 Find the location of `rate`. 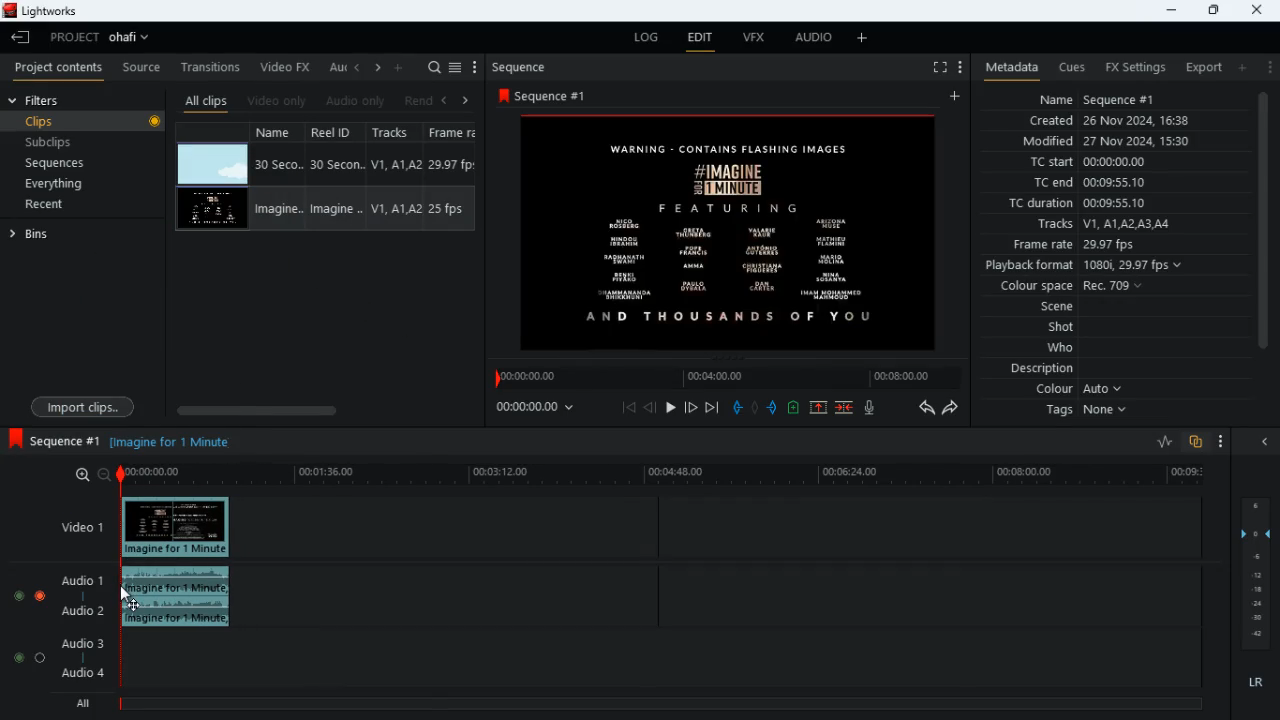

rate is located at coordinates (1158, 442).